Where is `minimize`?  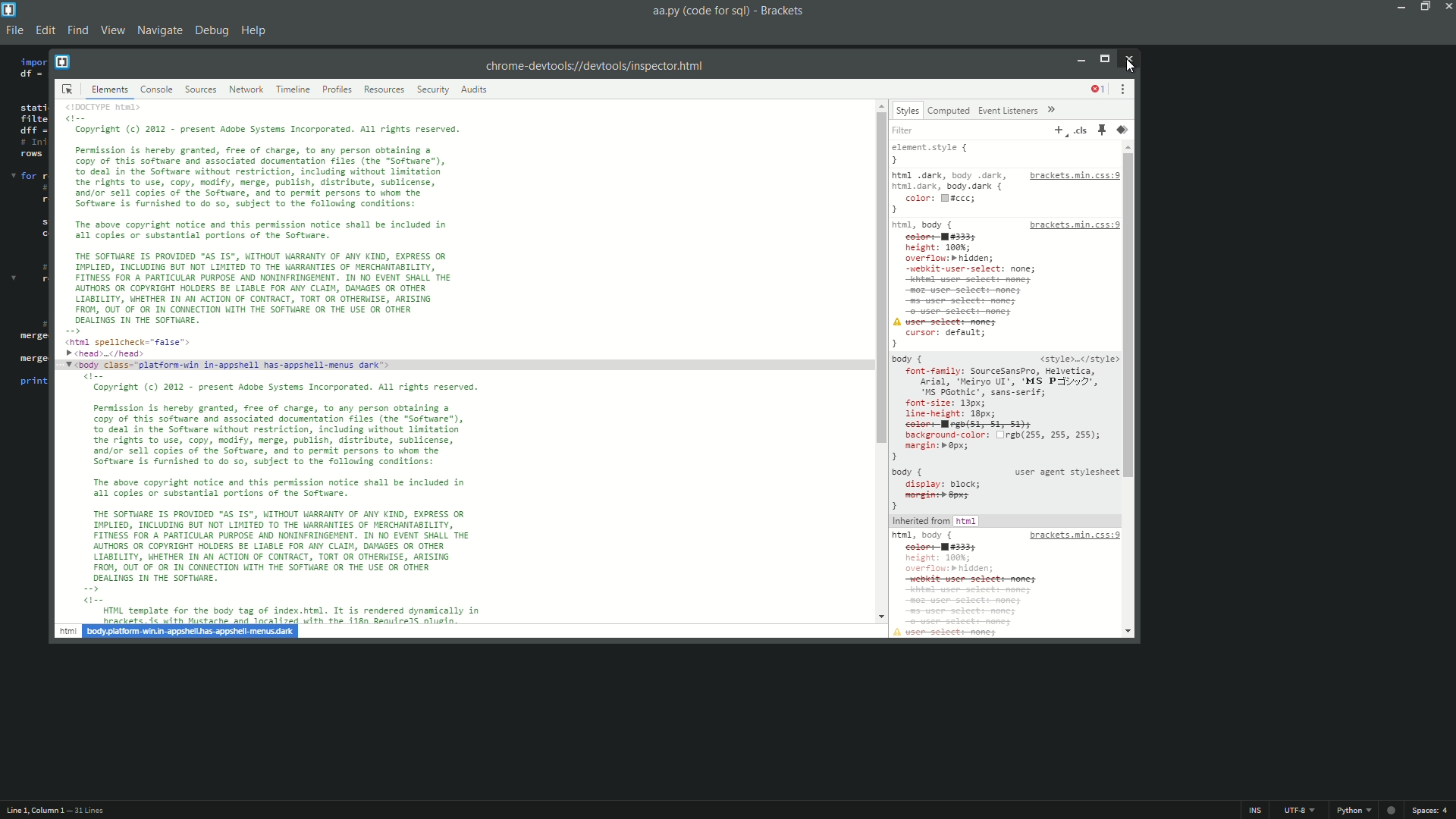 minimize is located at coordinates (1081, 59).